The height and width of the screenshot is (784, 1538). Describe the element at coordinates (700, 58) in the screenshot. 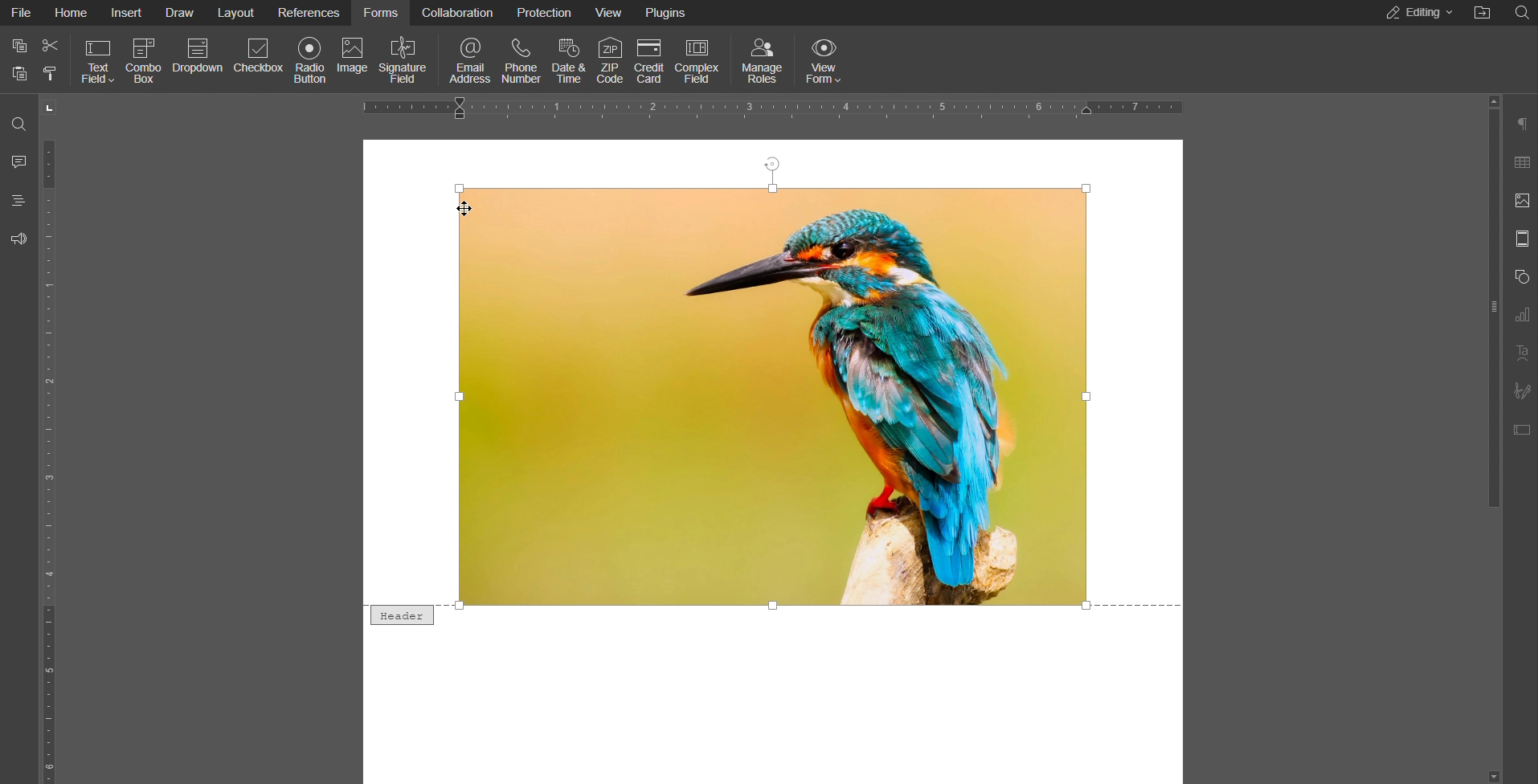

I see `Complex Field` at that location.